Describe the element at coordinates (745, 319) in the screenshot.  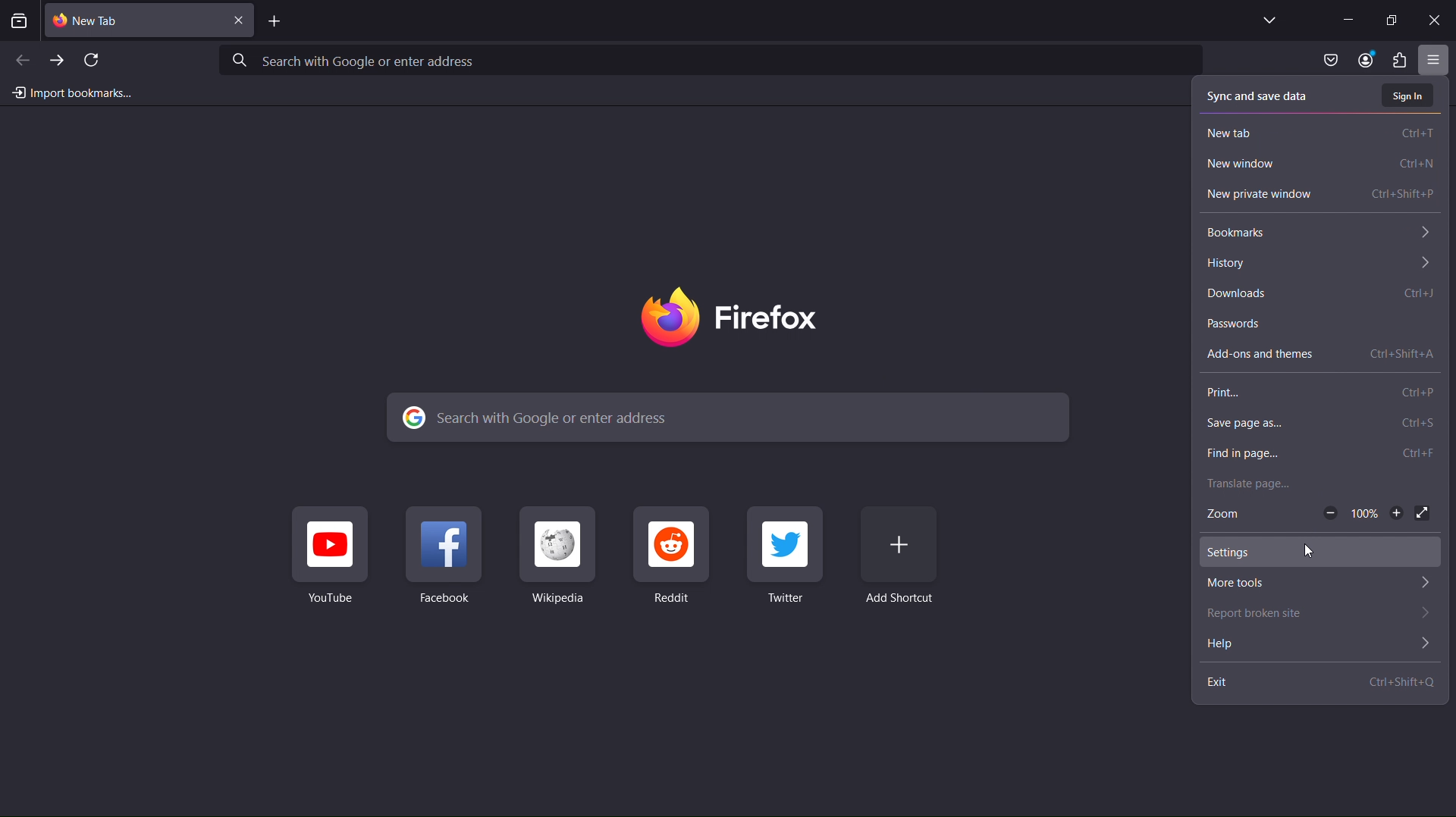
I see `Firefox Logo` at that location.